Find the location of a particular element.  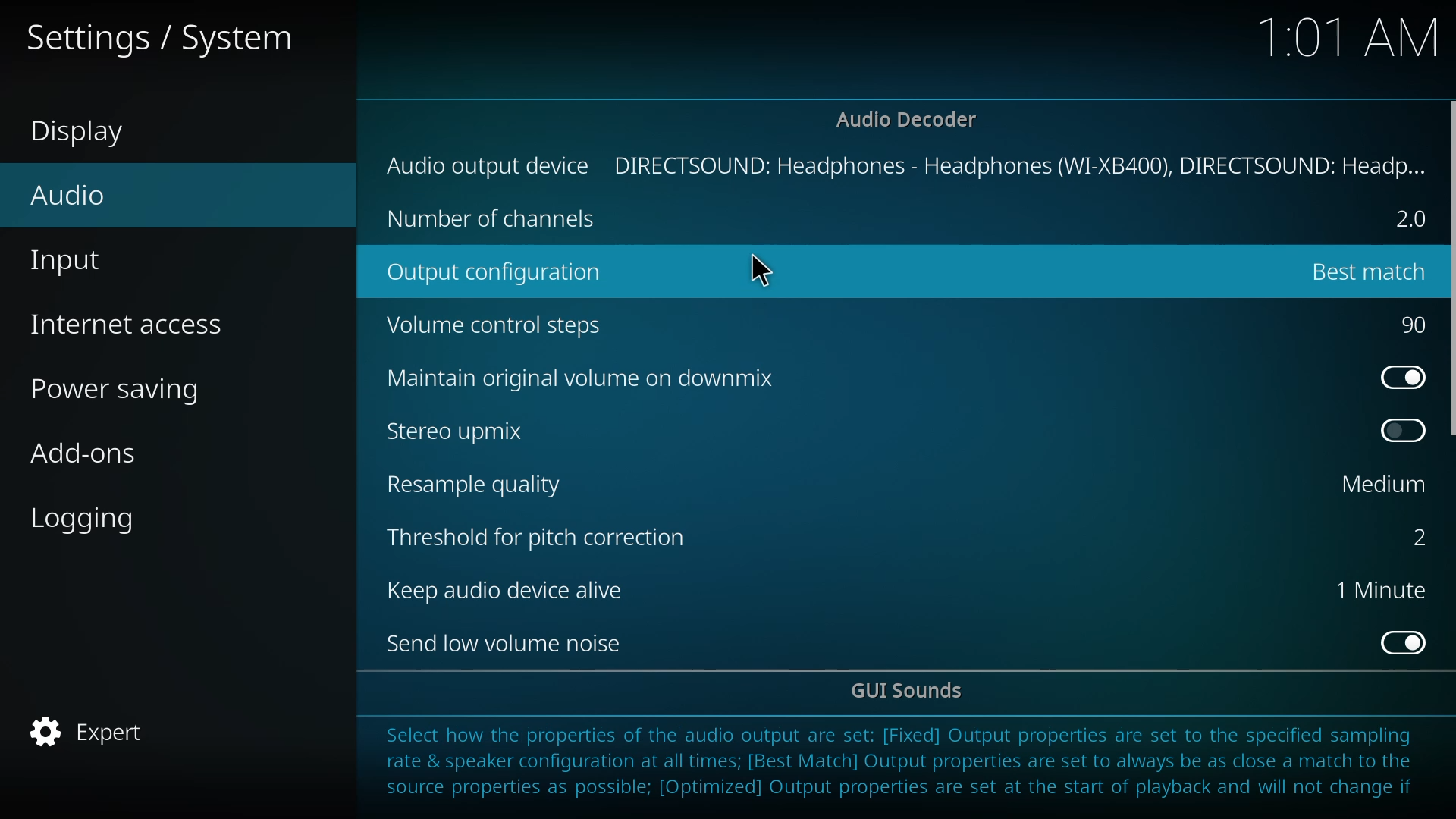

medium is located at coordinates (1373, 485).